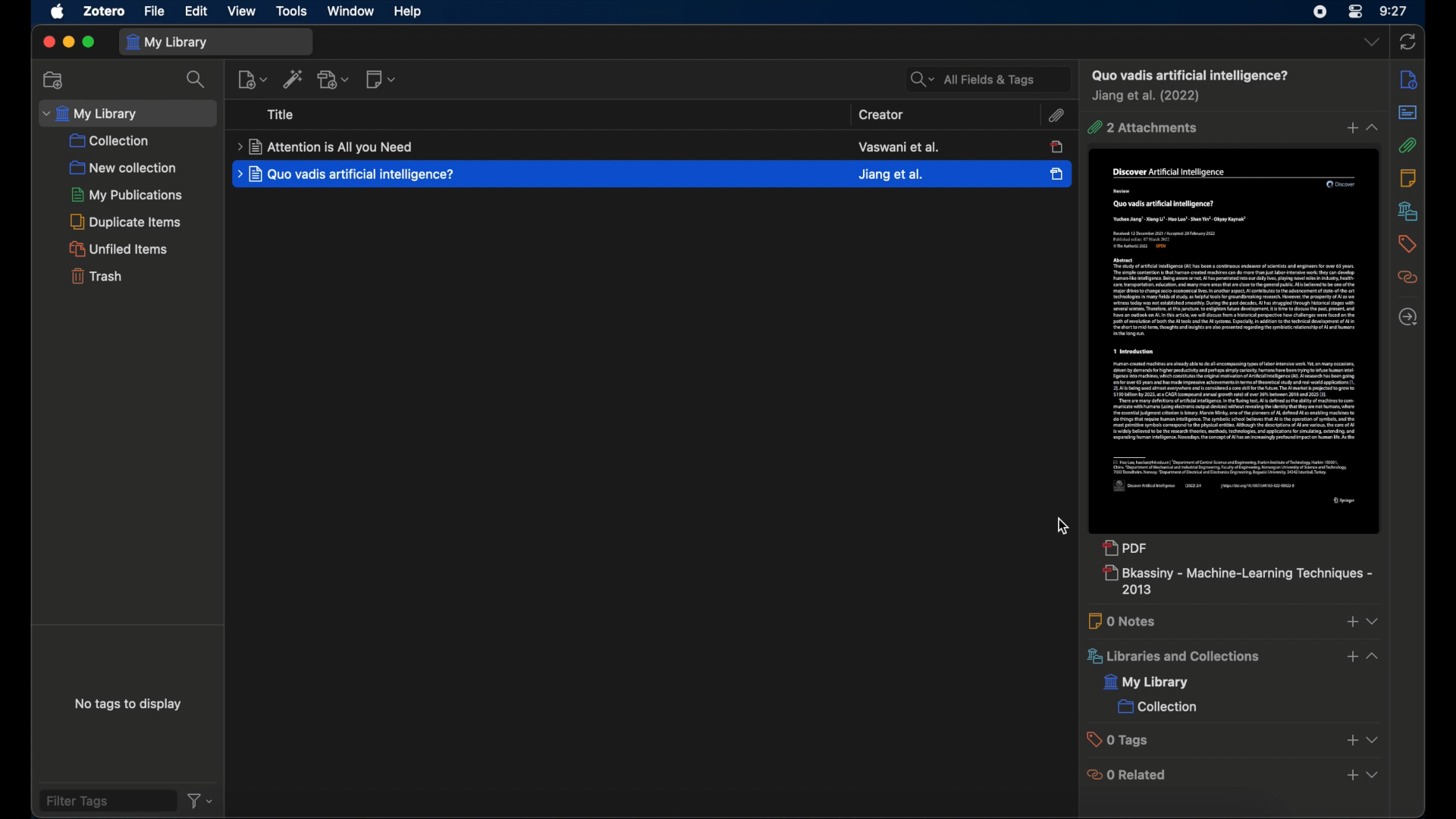 Image resolution: width=1456 pixels, height=819 pixels. What do you see at coordinates (90, 43) in the screenshot?
I see `maximize` at bounding box center [90, 43].